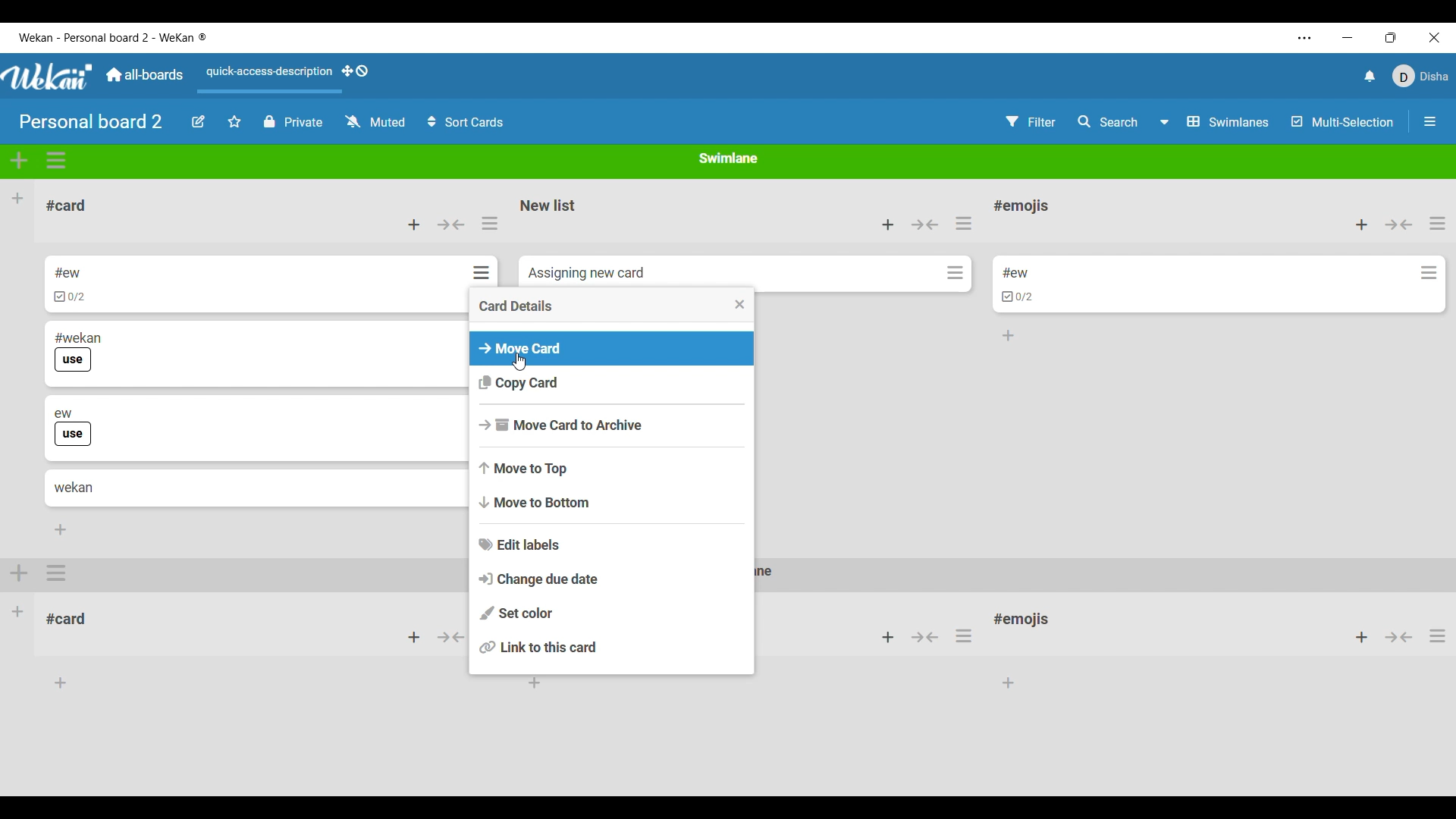  What do you see at coordinates (526, 362) in the screenshot?
I see `cursor` at bounding box center [526, 362].